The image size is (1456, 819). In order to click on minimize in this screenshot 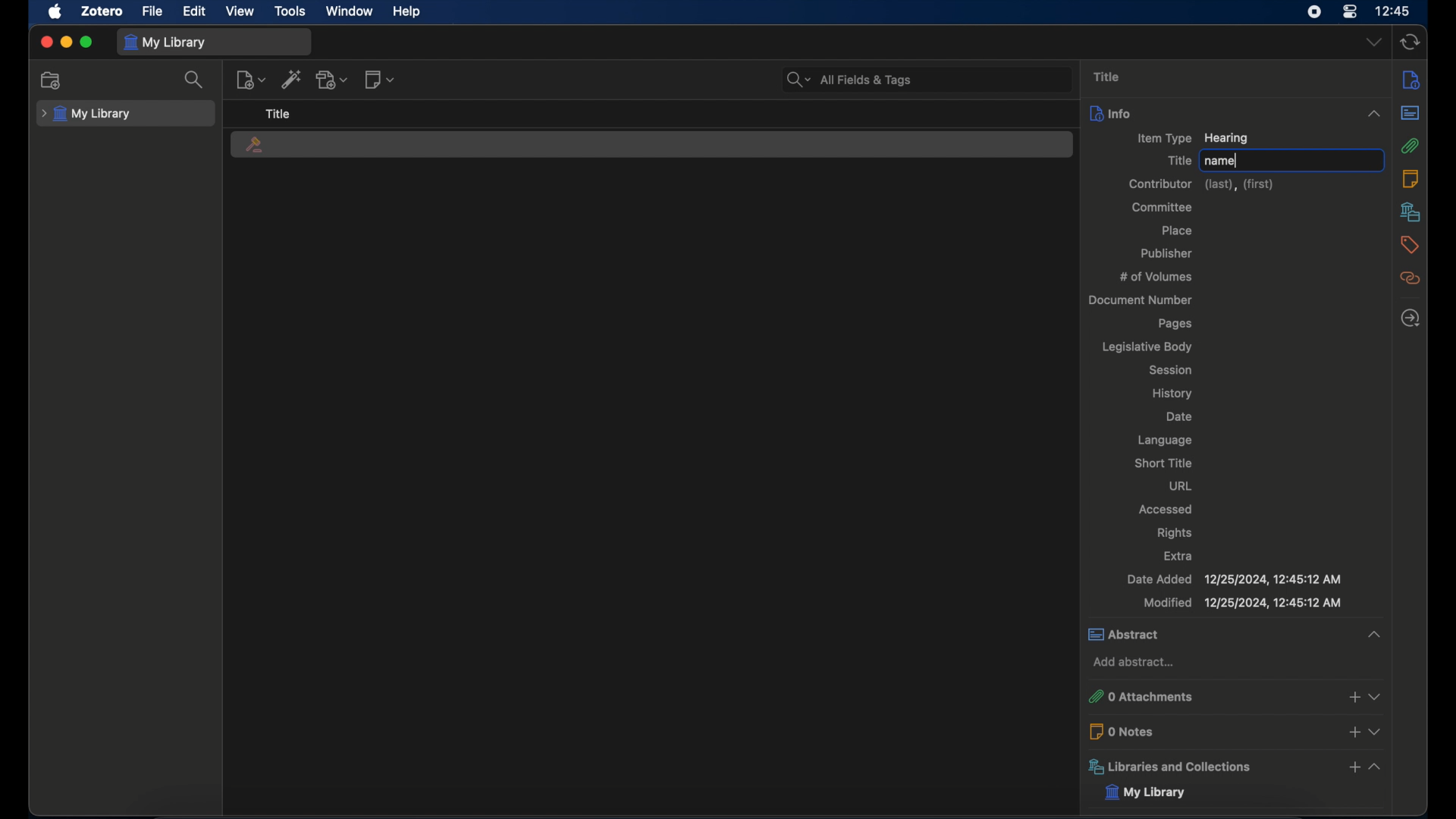, I will do `click(67, 42)`.